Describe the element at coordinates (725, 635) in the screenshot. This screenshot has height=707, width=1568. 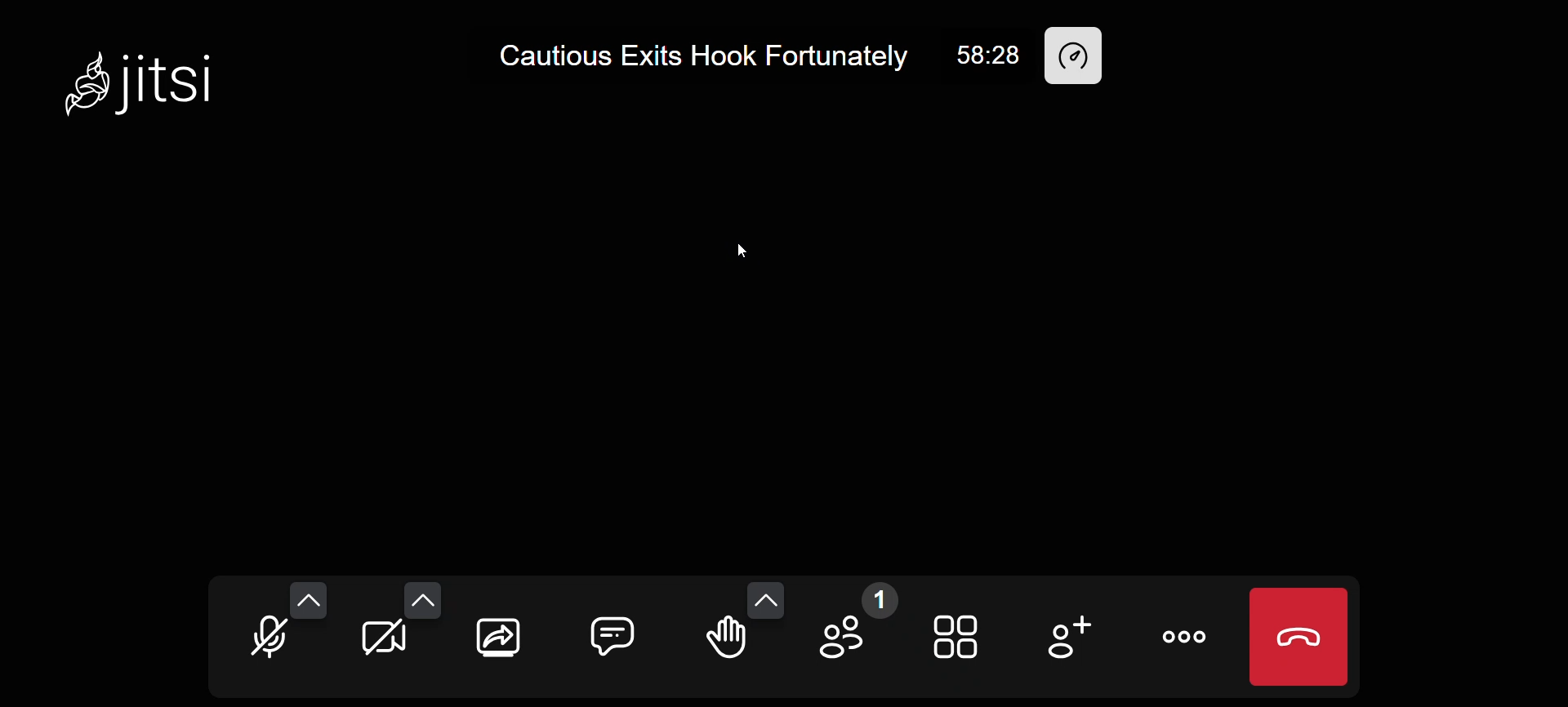
I see `raise hand` at that location.